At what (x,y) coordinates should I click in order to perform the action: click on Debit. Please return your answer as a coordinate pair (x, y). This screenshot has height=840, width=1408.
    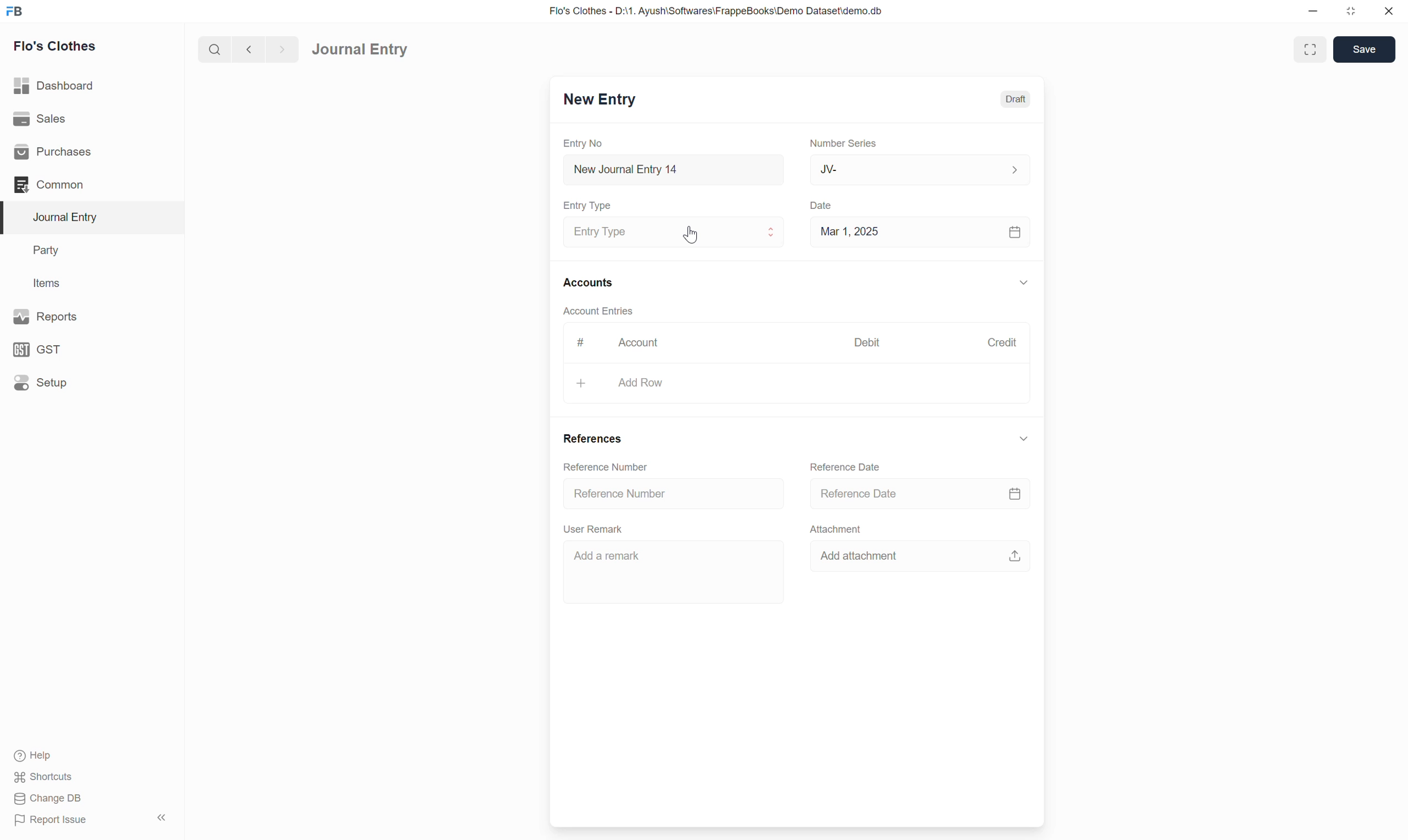
    Looking at the image, I should click on (867, 341).